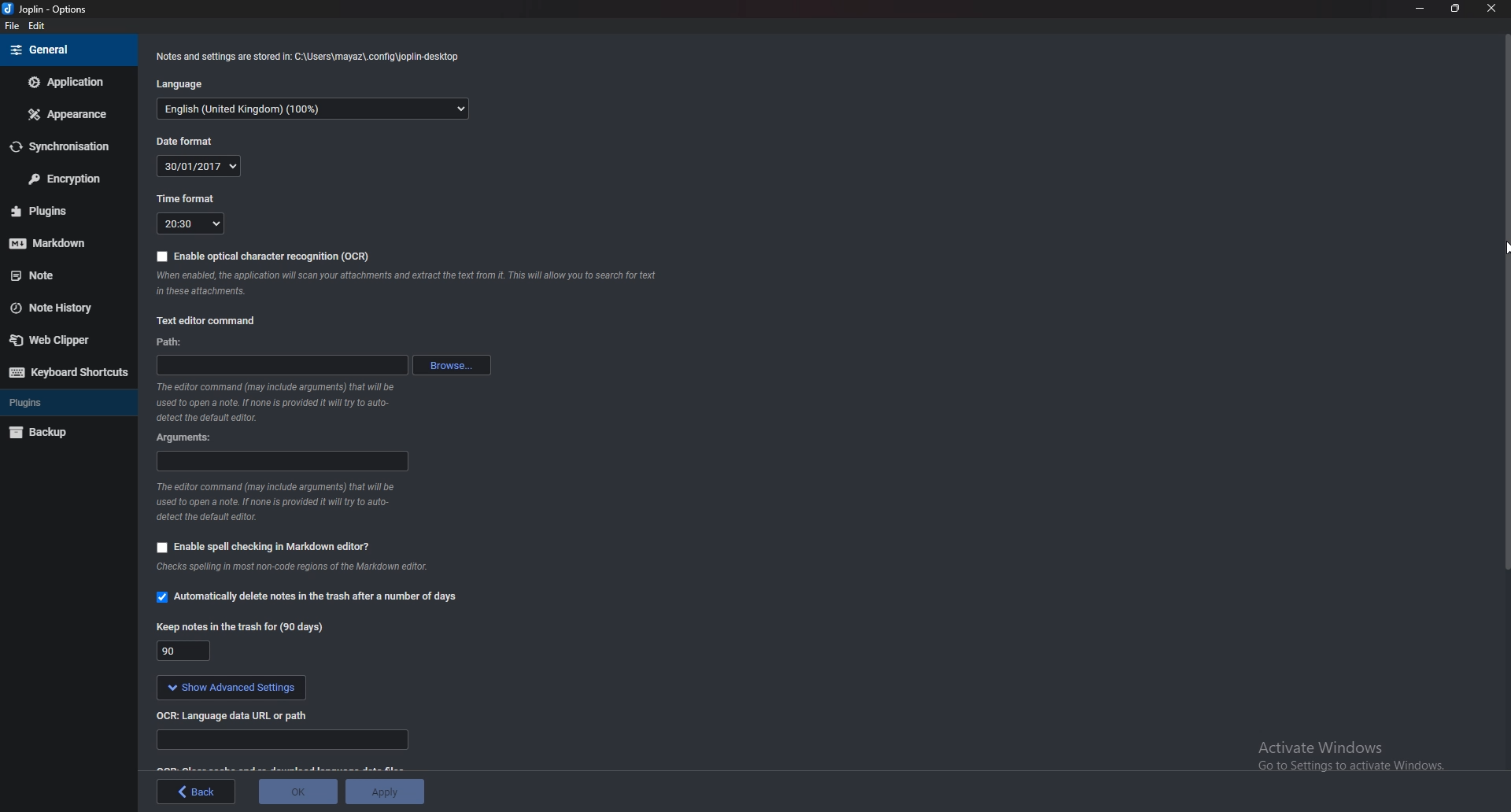 This screenshot has height=812, width=1511. What do you see at coordinates (385, 792) in the screenshot?
I see `Apply` at bounding box center [385, 792].